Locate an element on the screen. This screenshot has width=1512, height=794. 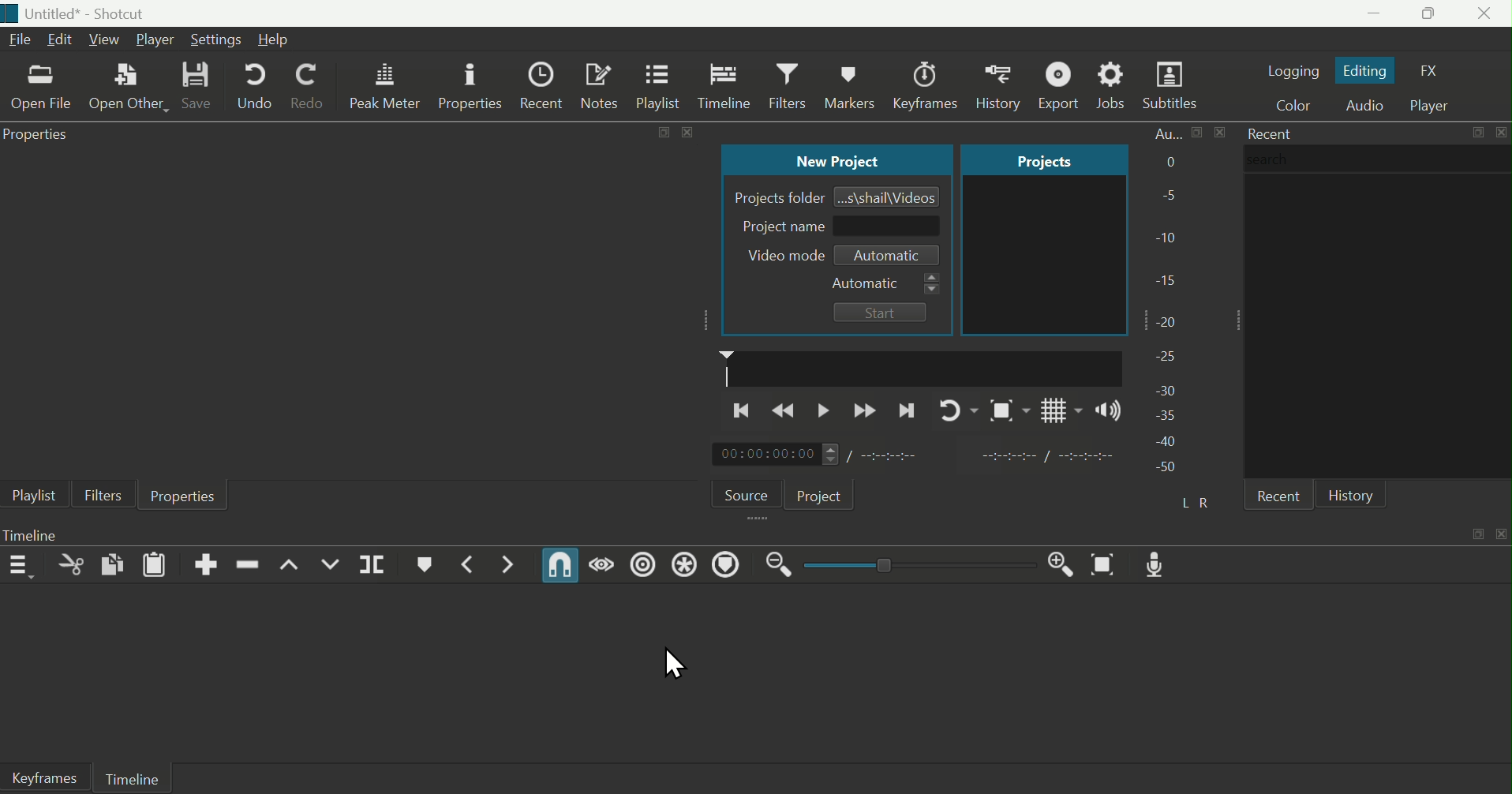
close is located at coordinates (1500, 132).